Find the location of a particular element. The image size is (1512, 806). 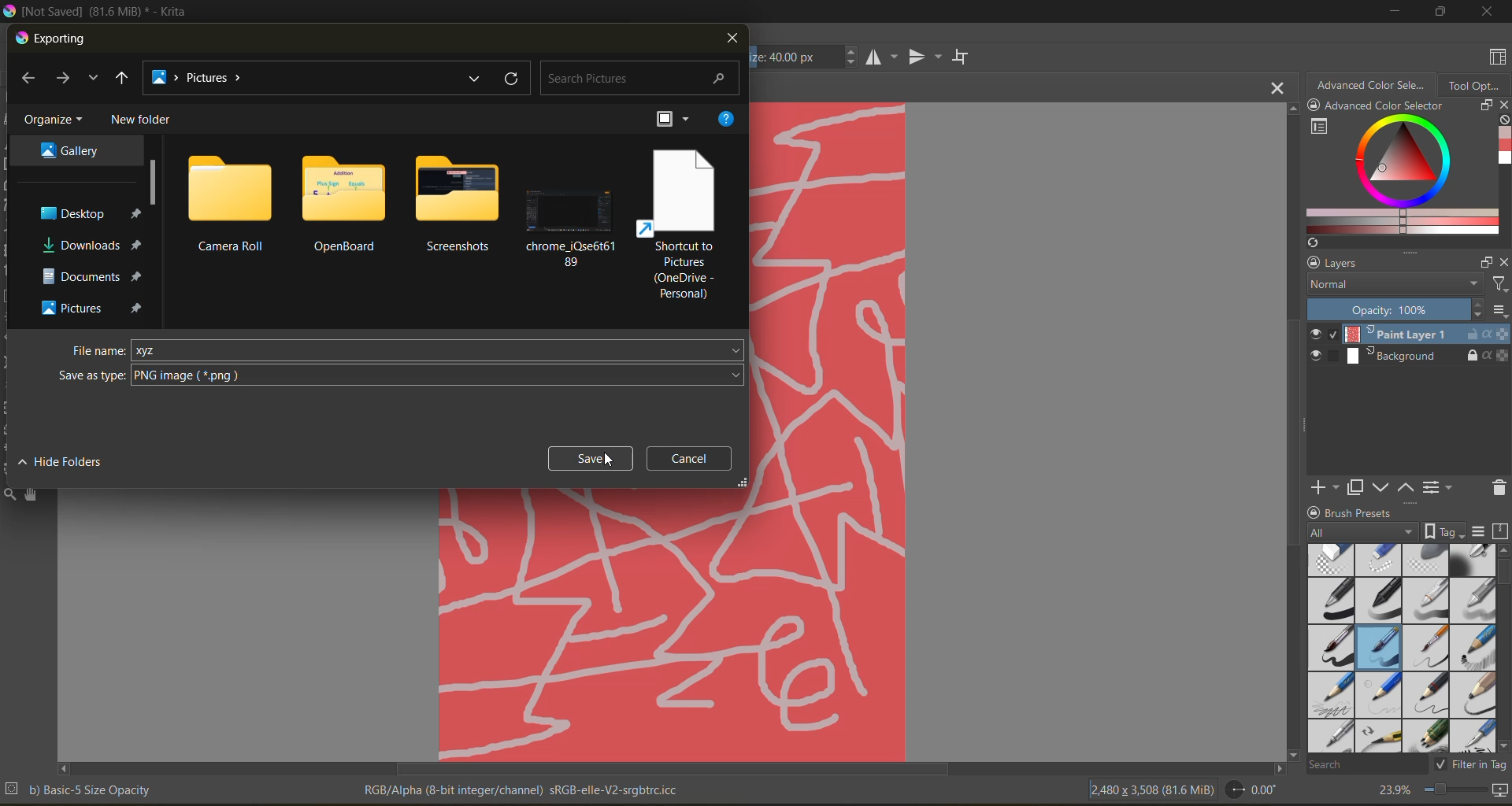

recent locations is located at coordinates (92, 78).